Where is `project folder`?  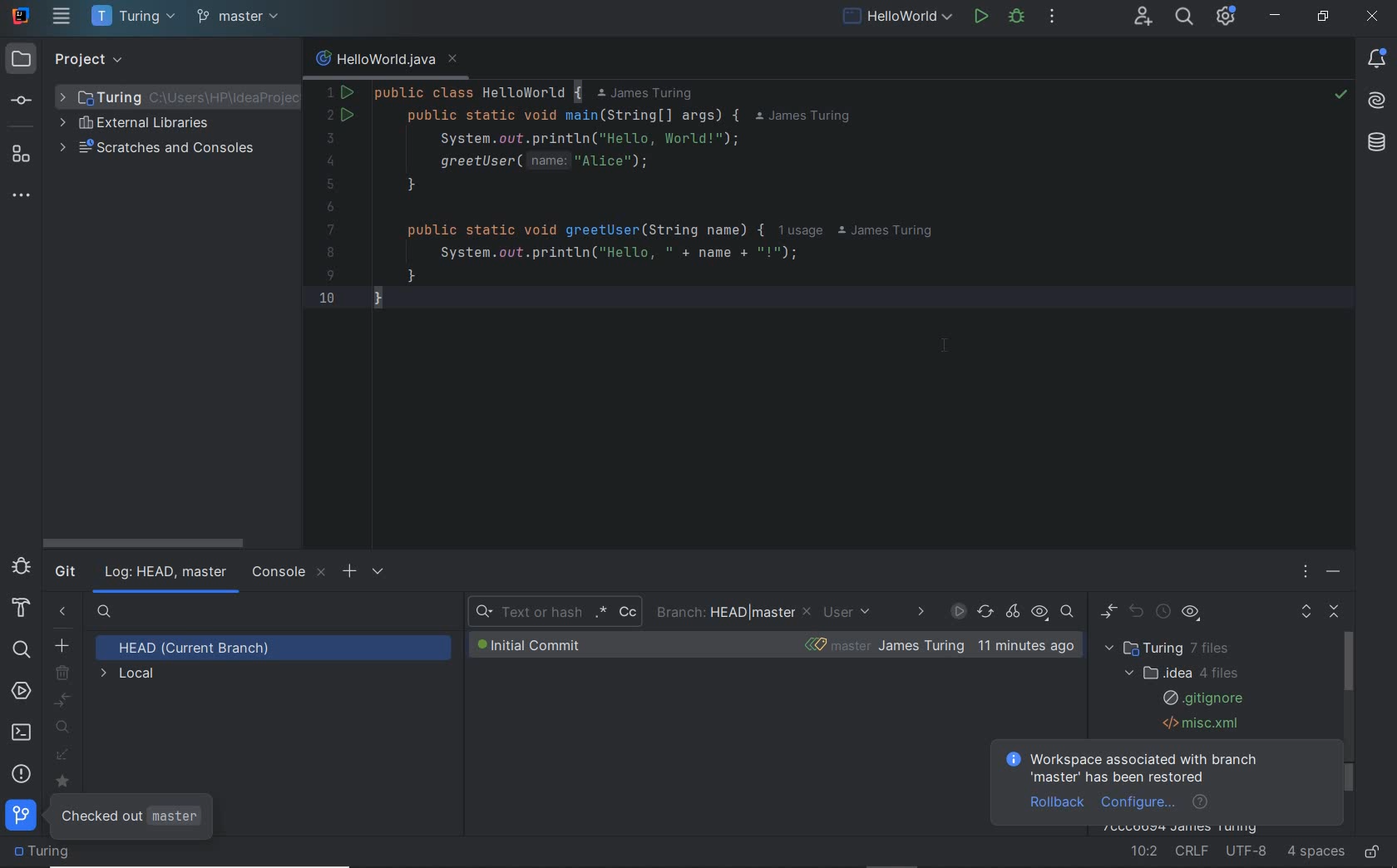 project folder is located at coordinates (46, 852).